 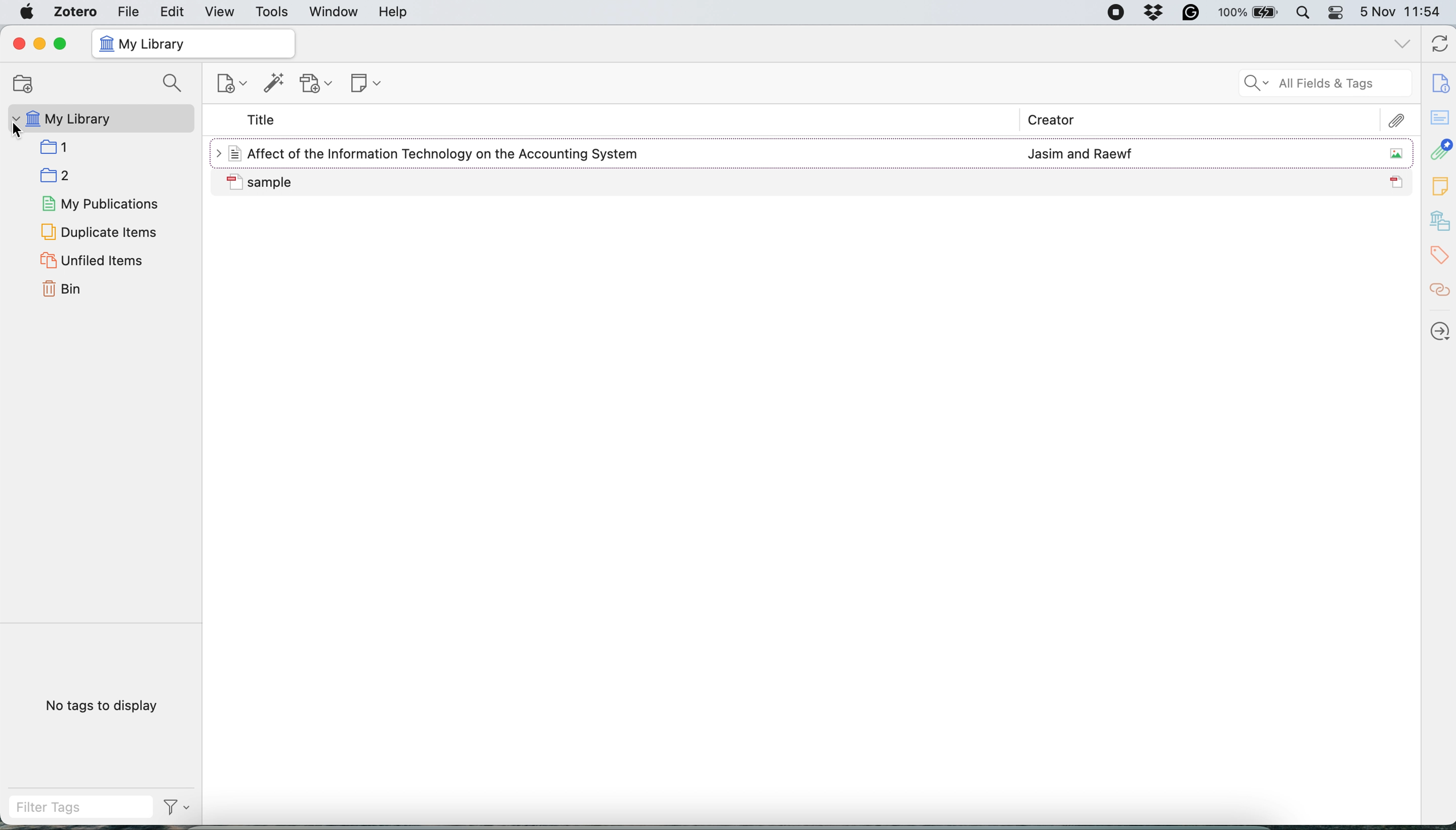 What do you see at coordinates (116, 707) in the screenshot?
I see `no tags to display` at bounding box center [116, 707].